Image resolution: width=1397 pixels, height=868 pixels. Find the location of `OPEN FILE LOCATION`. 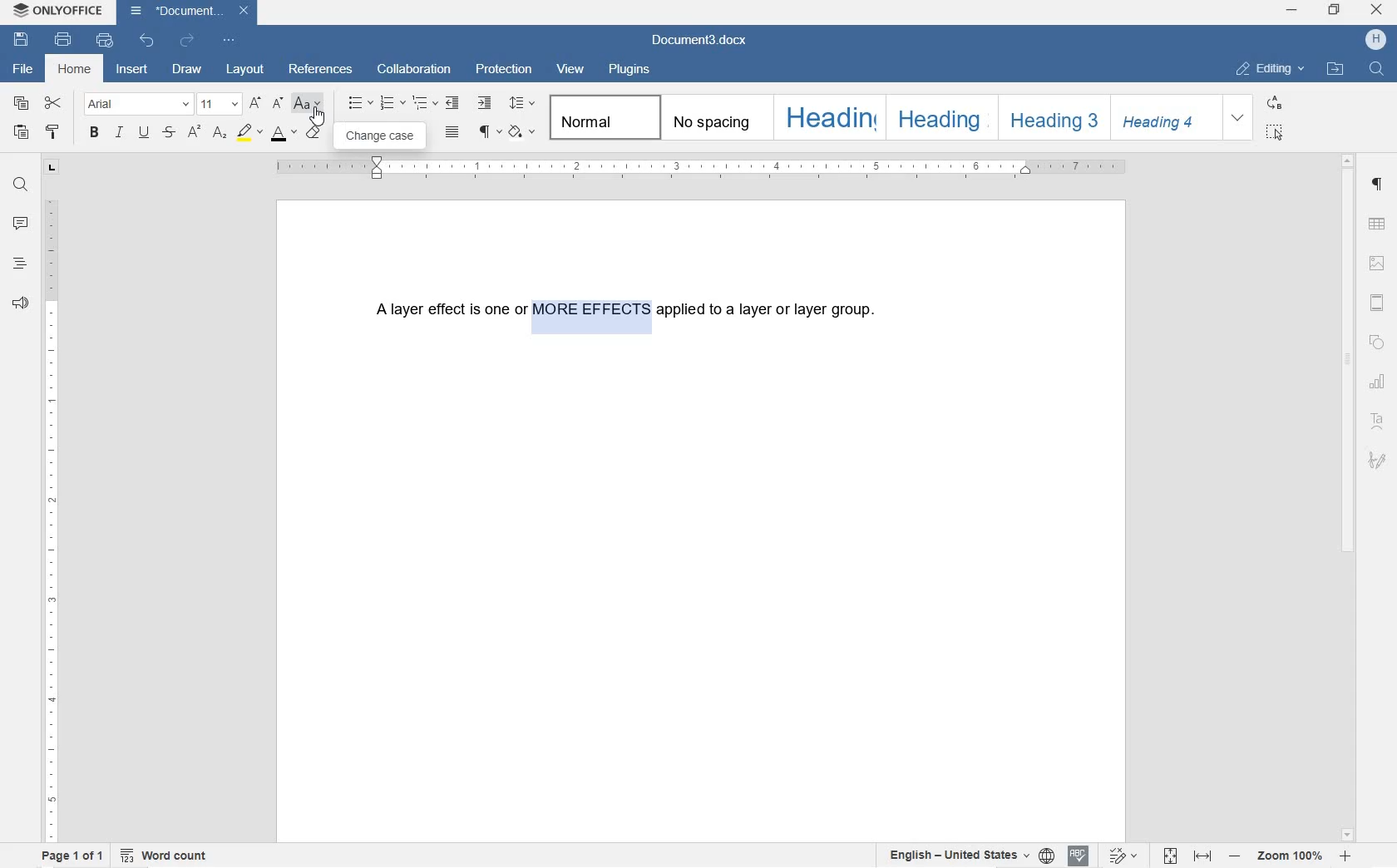

OPEN FILE LOCATION is located at coordinates (1337, 70).